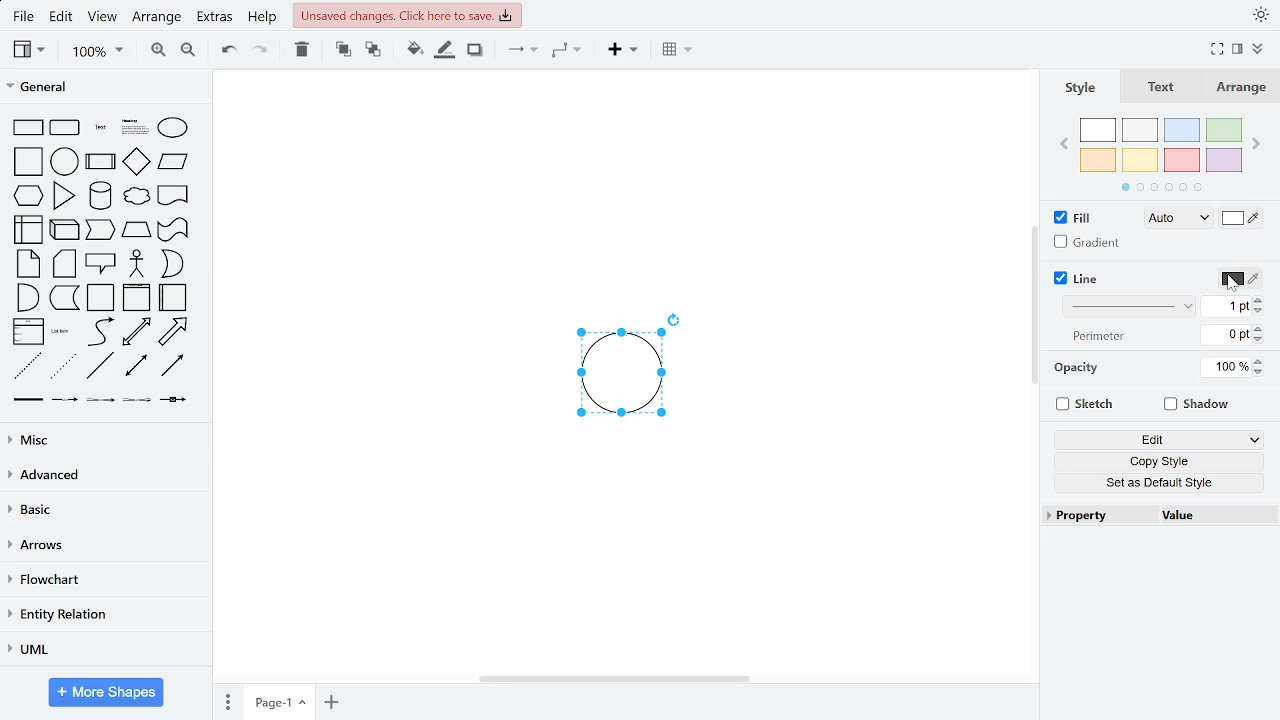  Describe the element at coordinates (1159, 462) in the screenshot. I see `copy style` at that location.